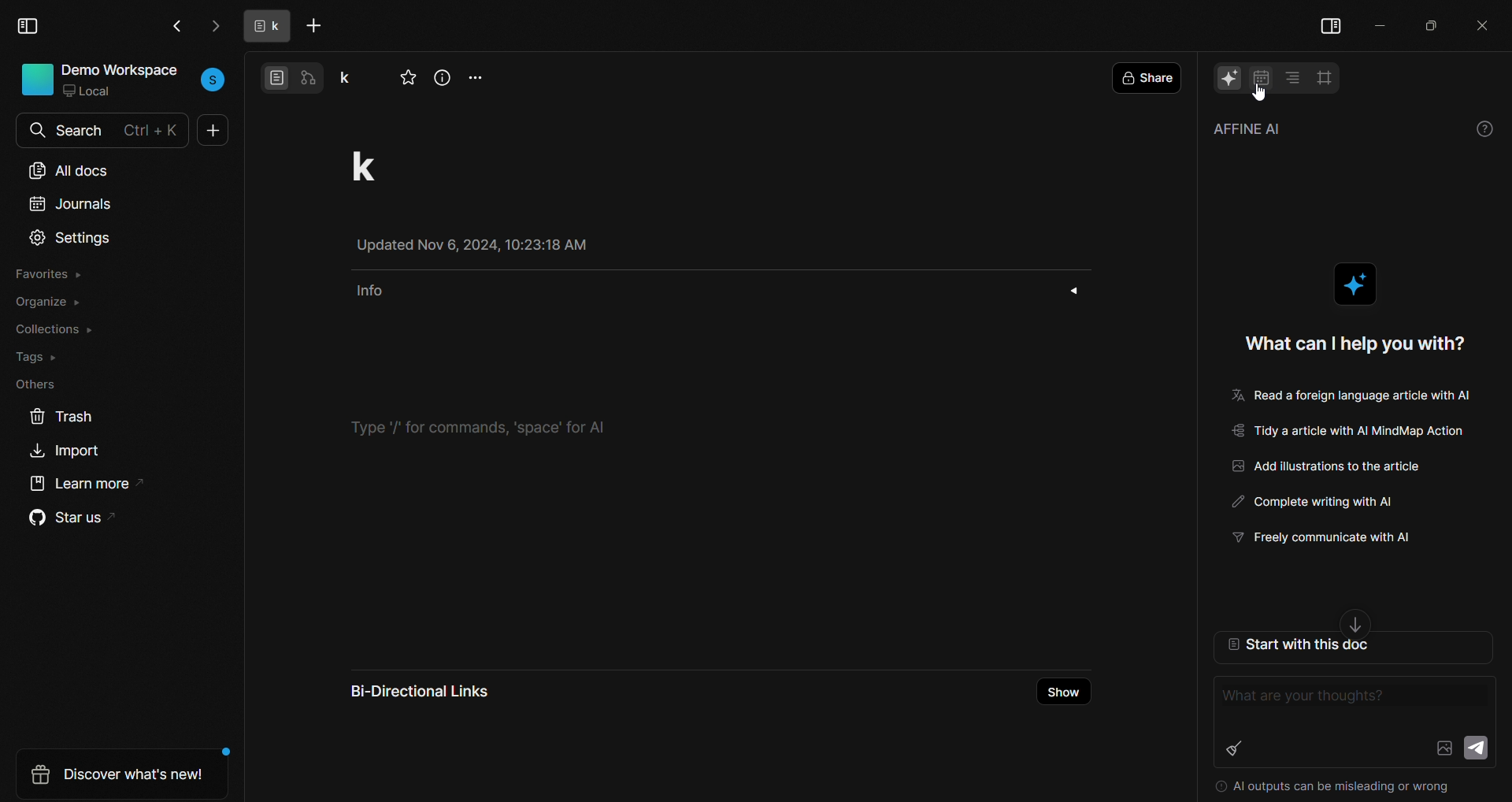  Describe the element at coordinates (1485, 129) in the screenshot. I see `help` at that location.